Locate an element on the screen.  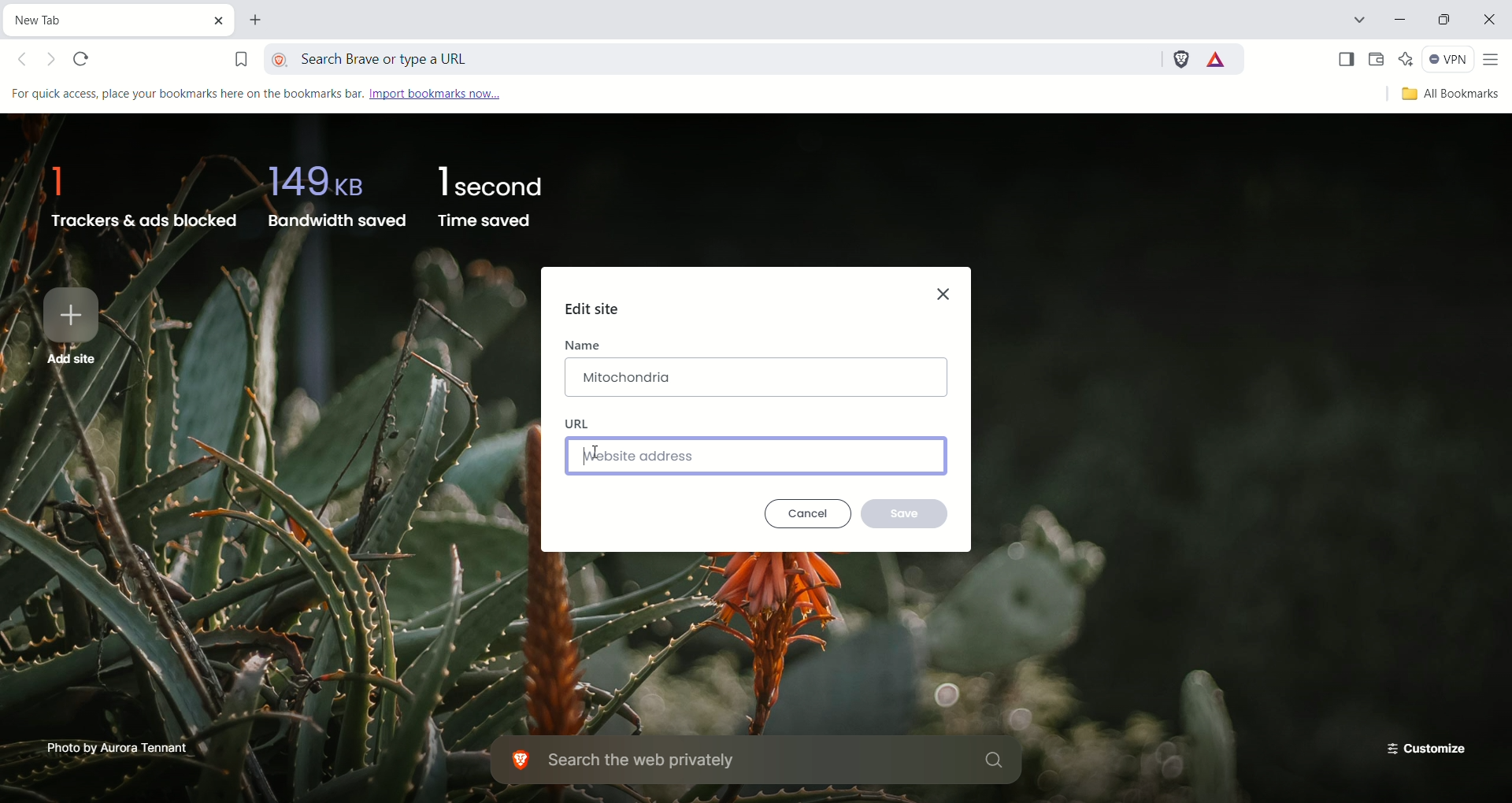
save is located at coordinates (905, 513).